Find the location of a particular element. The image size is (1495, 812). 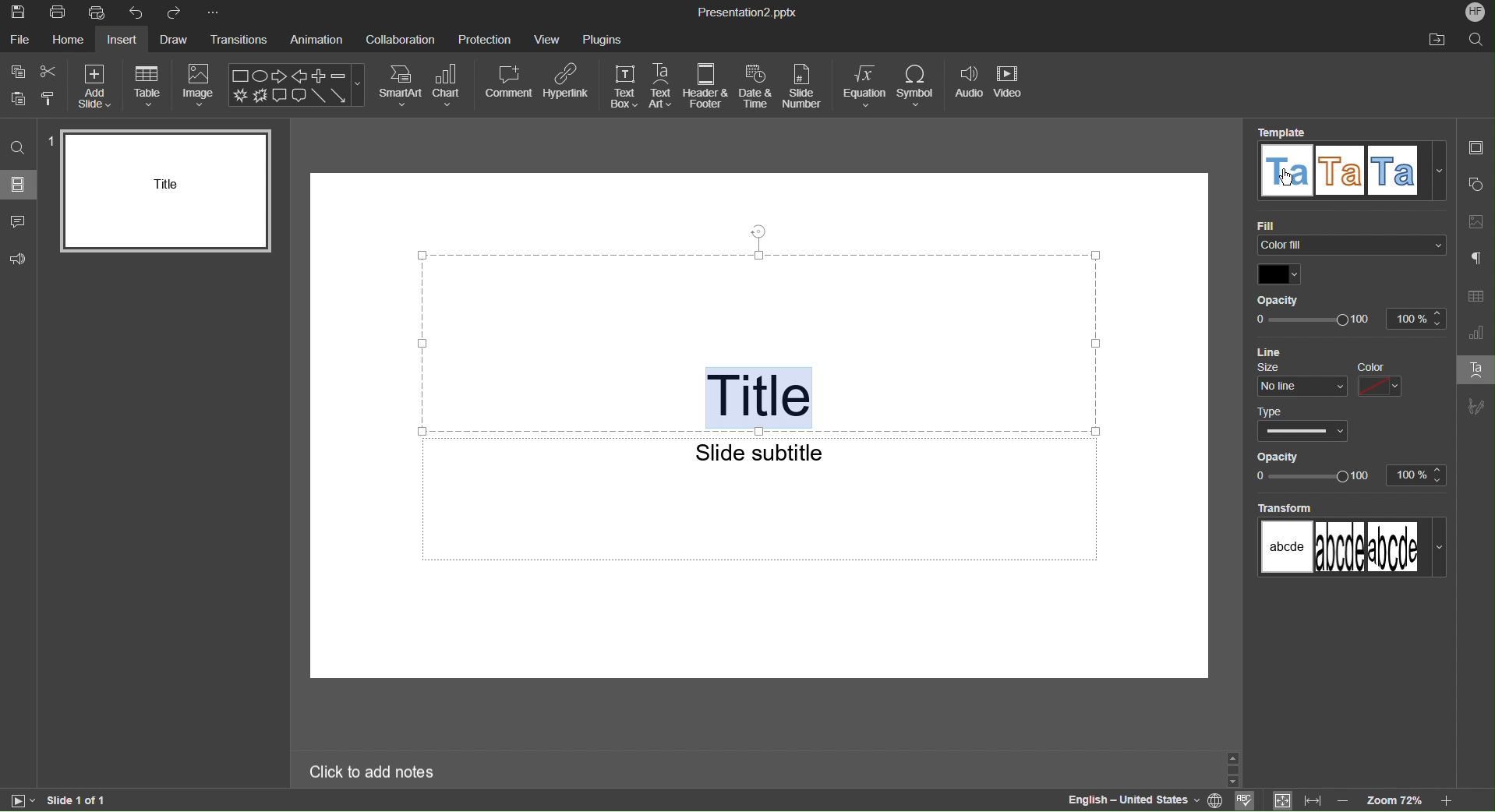

Presentation is located at coordinates (747, 12).